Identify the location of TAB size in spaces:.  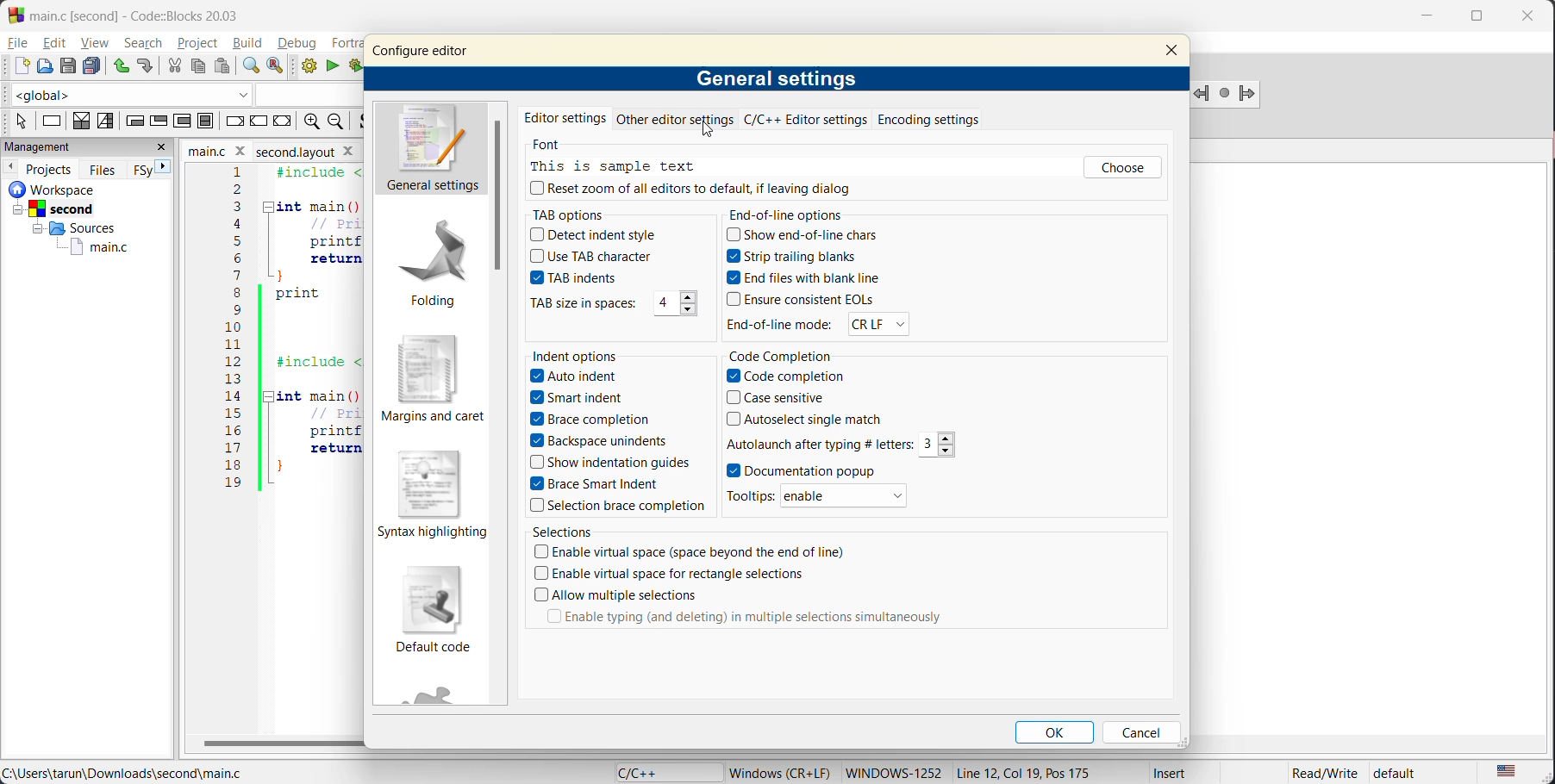
(580, 303).